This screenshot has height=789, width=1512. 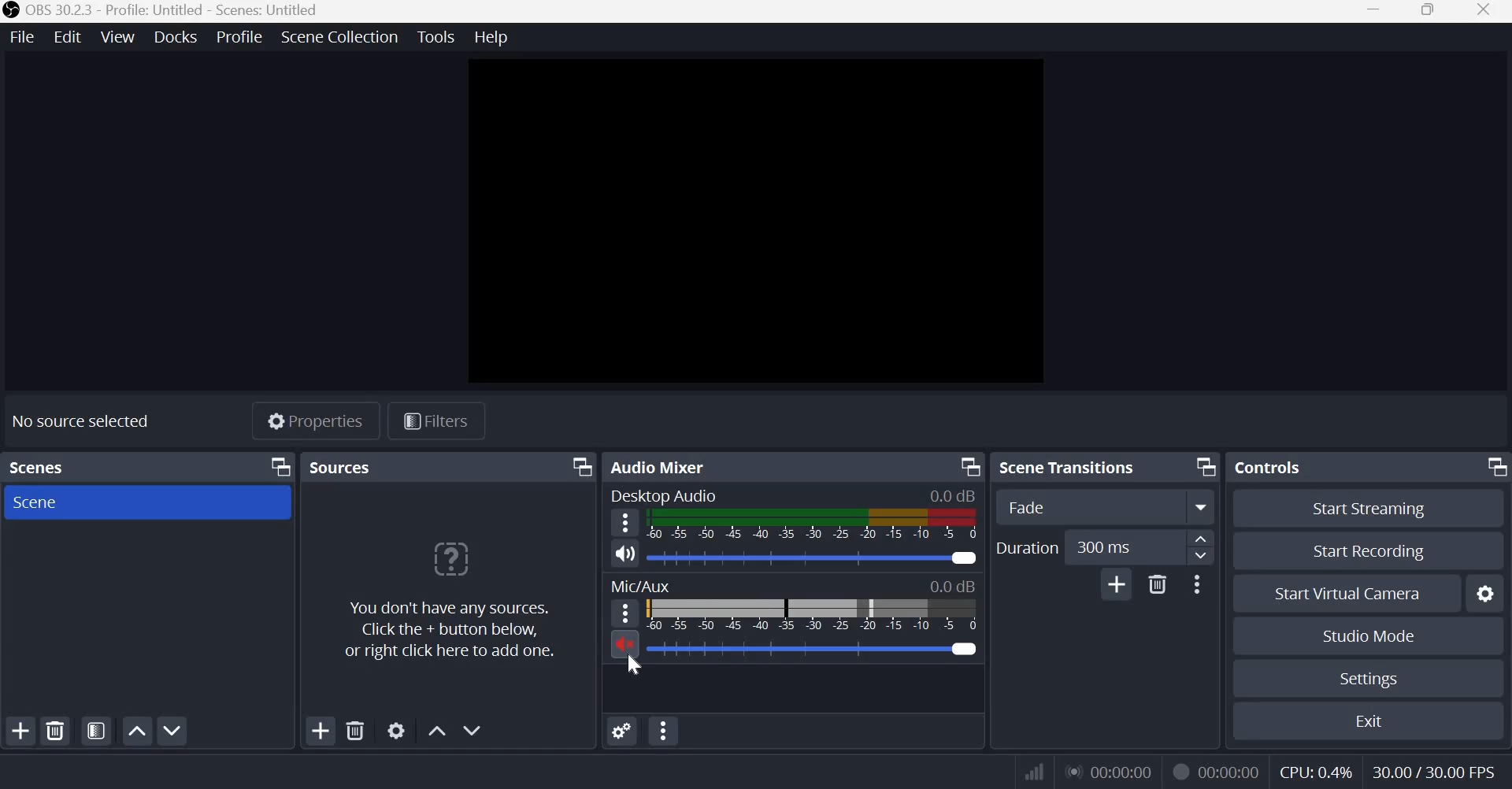 I want to click on More Options, so click(x=1195, y=583).